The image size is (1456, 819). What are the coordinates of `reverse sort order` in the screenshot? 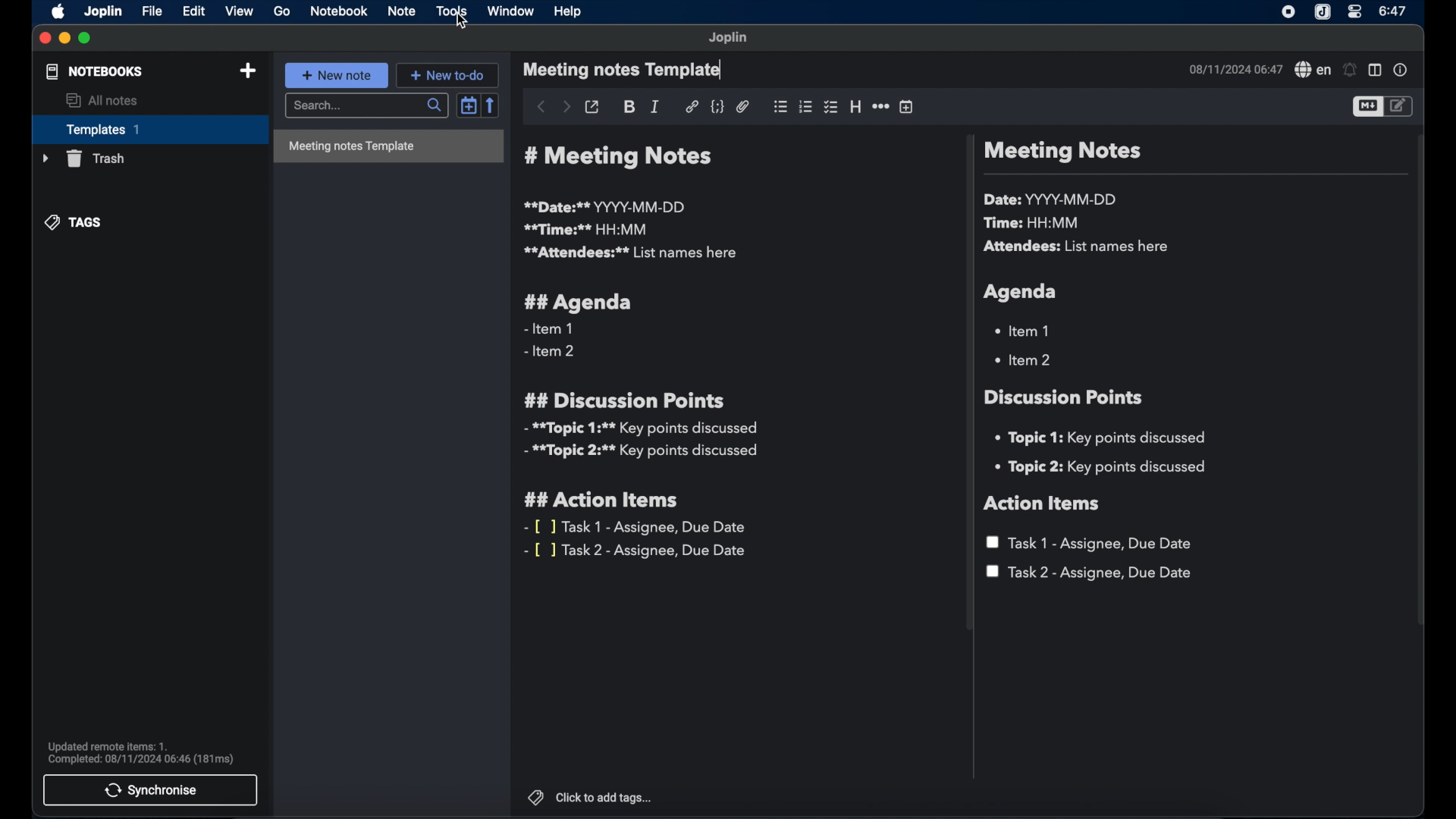 It's located at (492, 105).